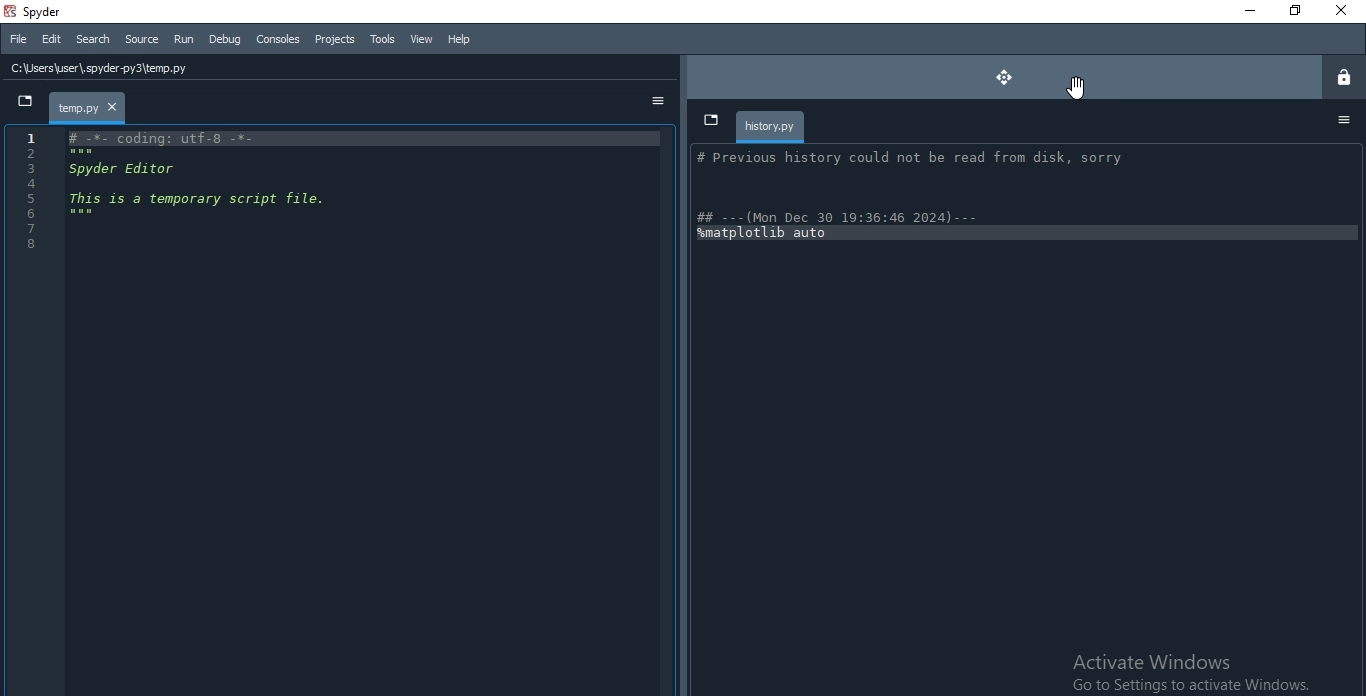 The height and width of the screenshot is (696, 1366). I want to click on Cursor on move button, so click(1090, 88).